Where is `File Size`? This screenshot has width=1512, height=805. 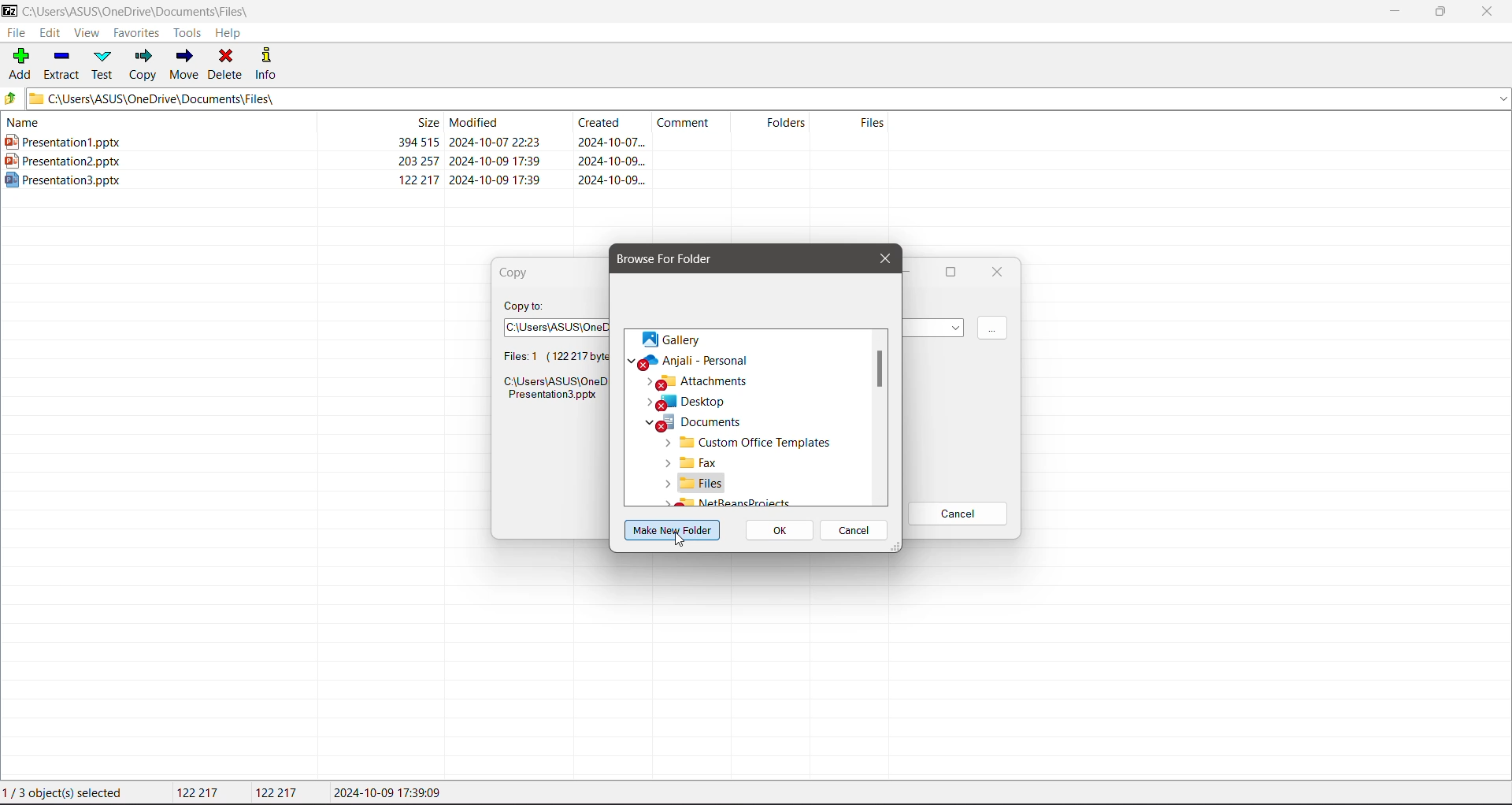
File Size is located at coordinates (378, 122).